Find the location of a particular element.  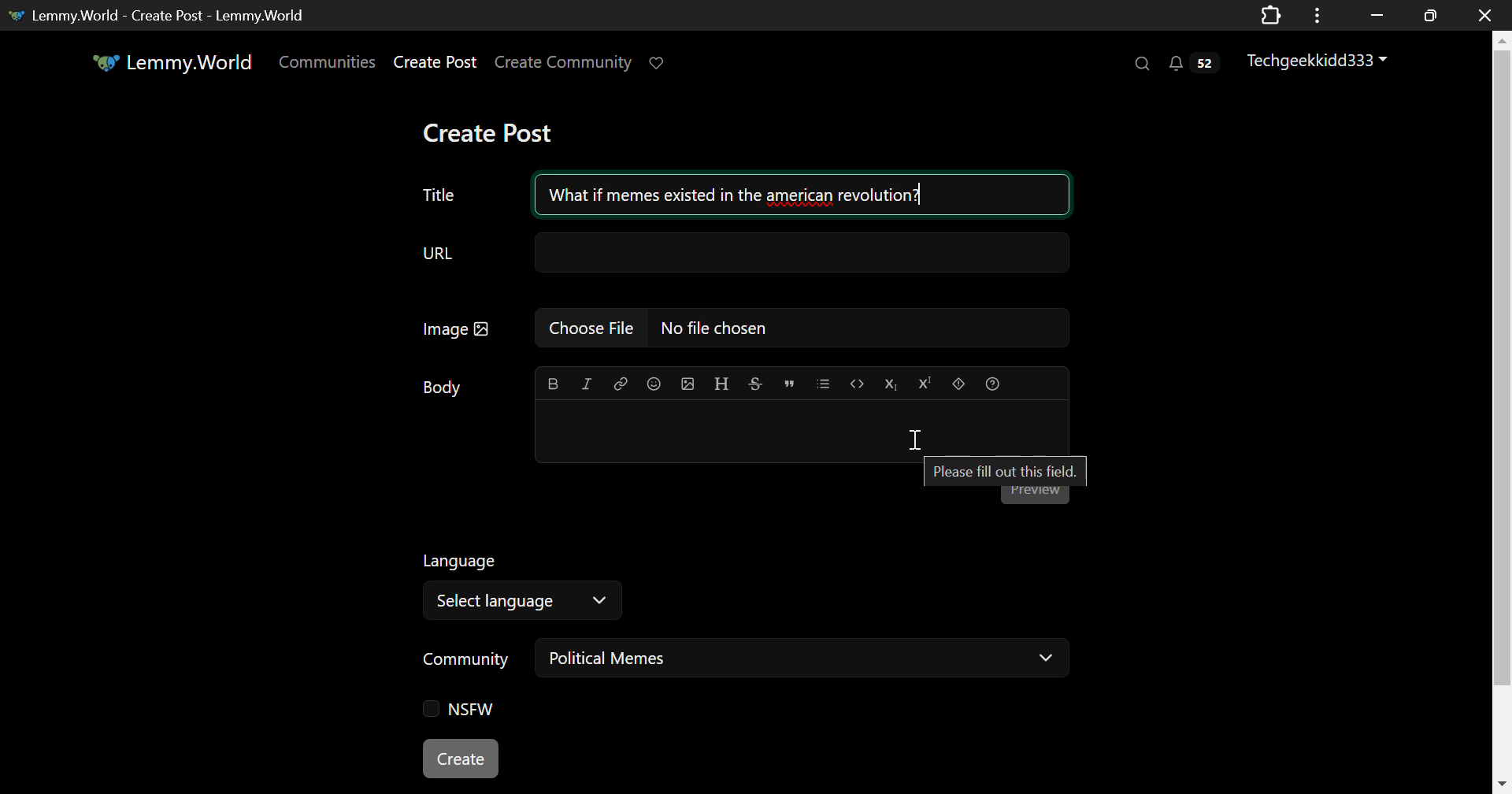

Minimize Window is located at coordinates (1428, 16).